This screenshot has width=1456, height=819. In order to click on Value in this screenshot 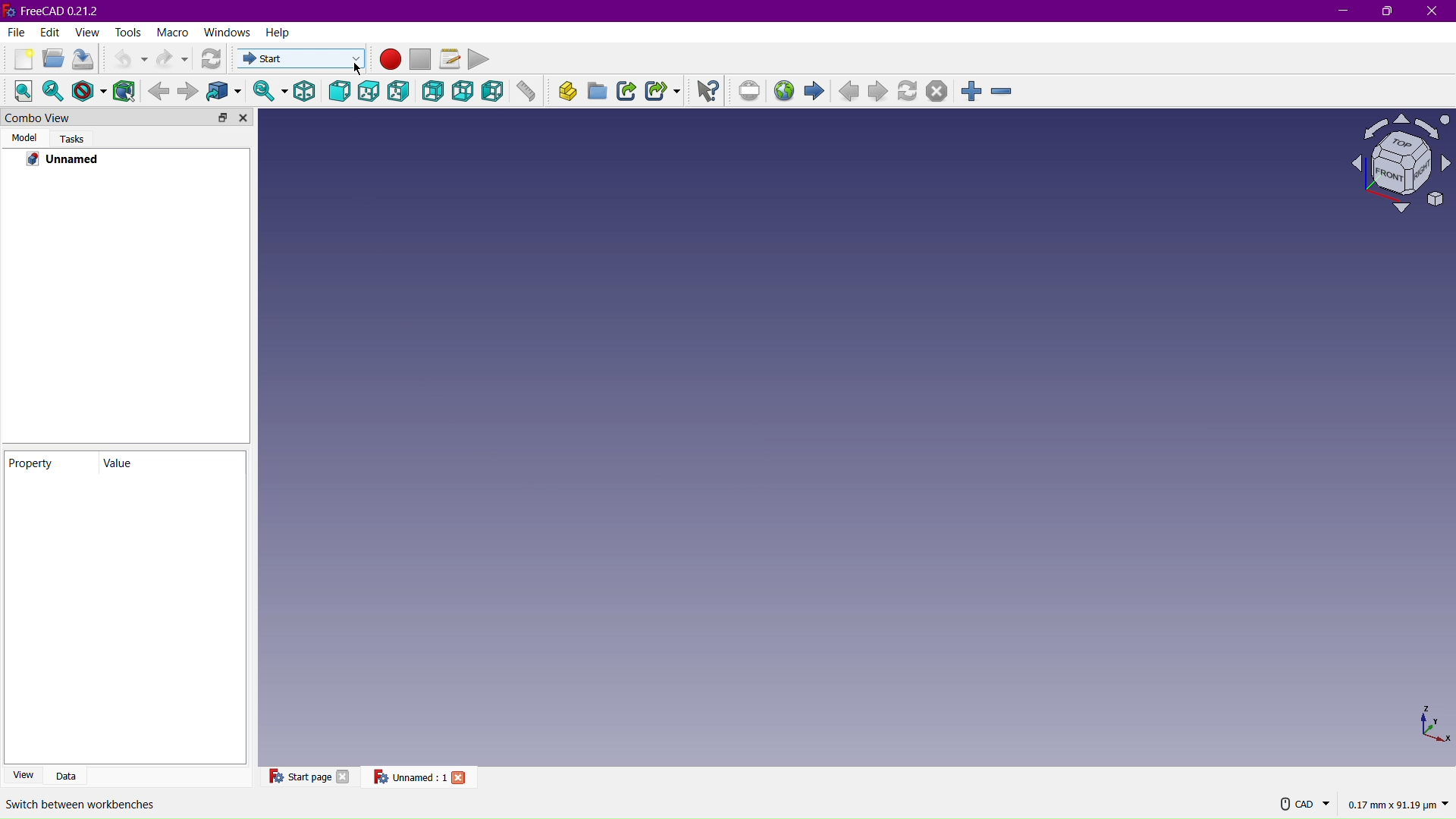, I will do `click(157, 463)`.